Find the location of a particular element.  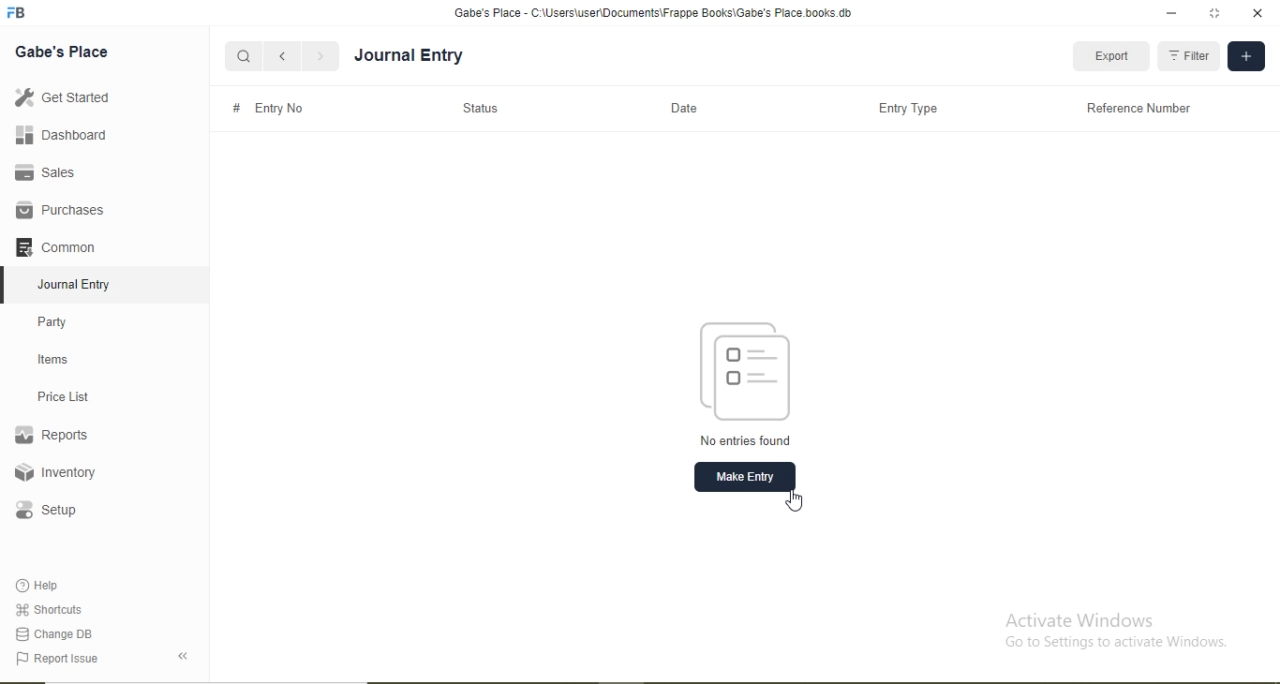

Add is located at coordinates (1245, 56).